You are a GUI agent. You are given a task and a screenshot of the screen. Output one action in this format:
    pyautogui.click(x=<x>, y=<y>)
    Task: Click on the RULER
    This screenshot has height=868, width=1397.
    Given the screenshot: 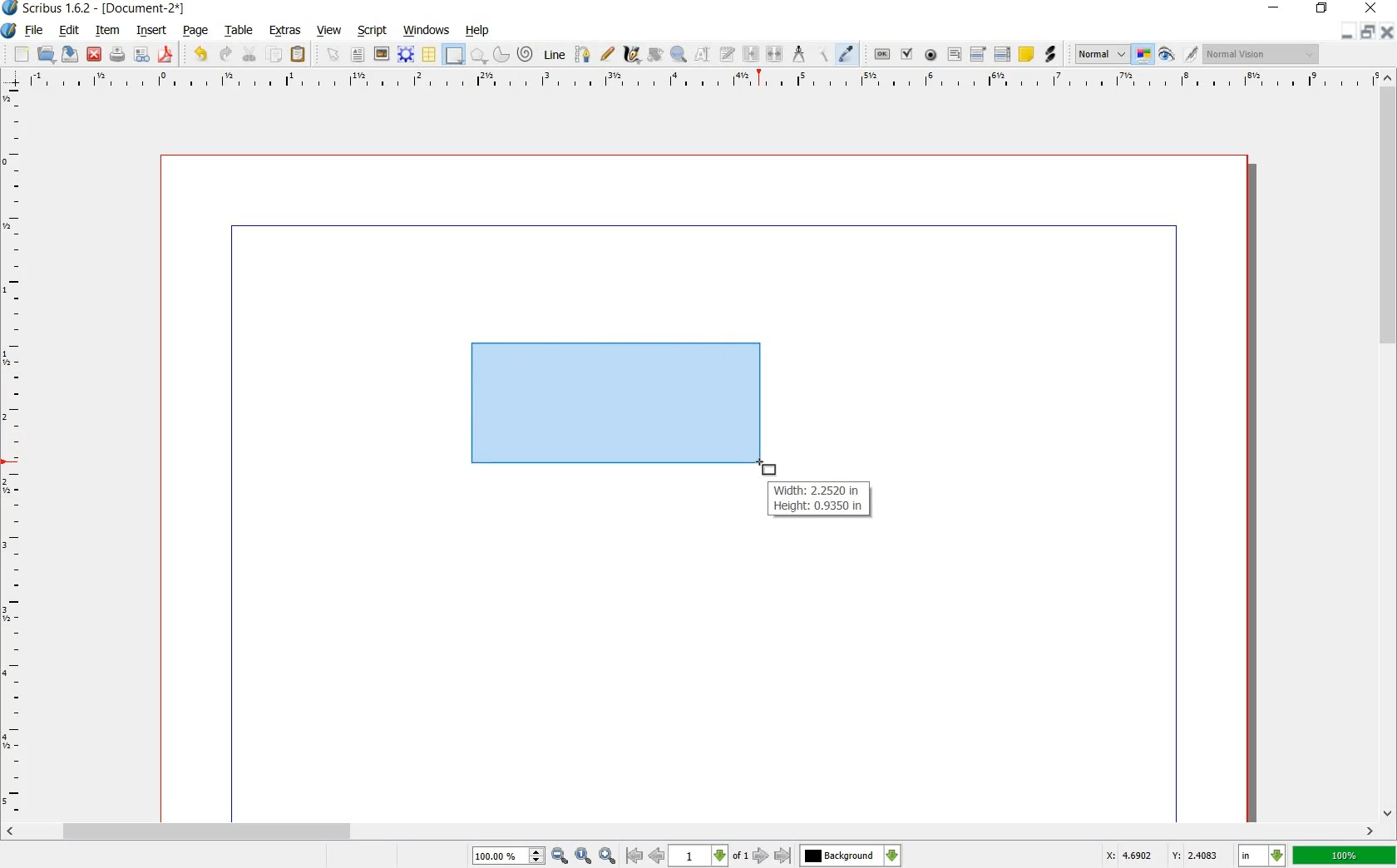 What is the action you would take?
    pyautogui.click(x=14, y=452)
    